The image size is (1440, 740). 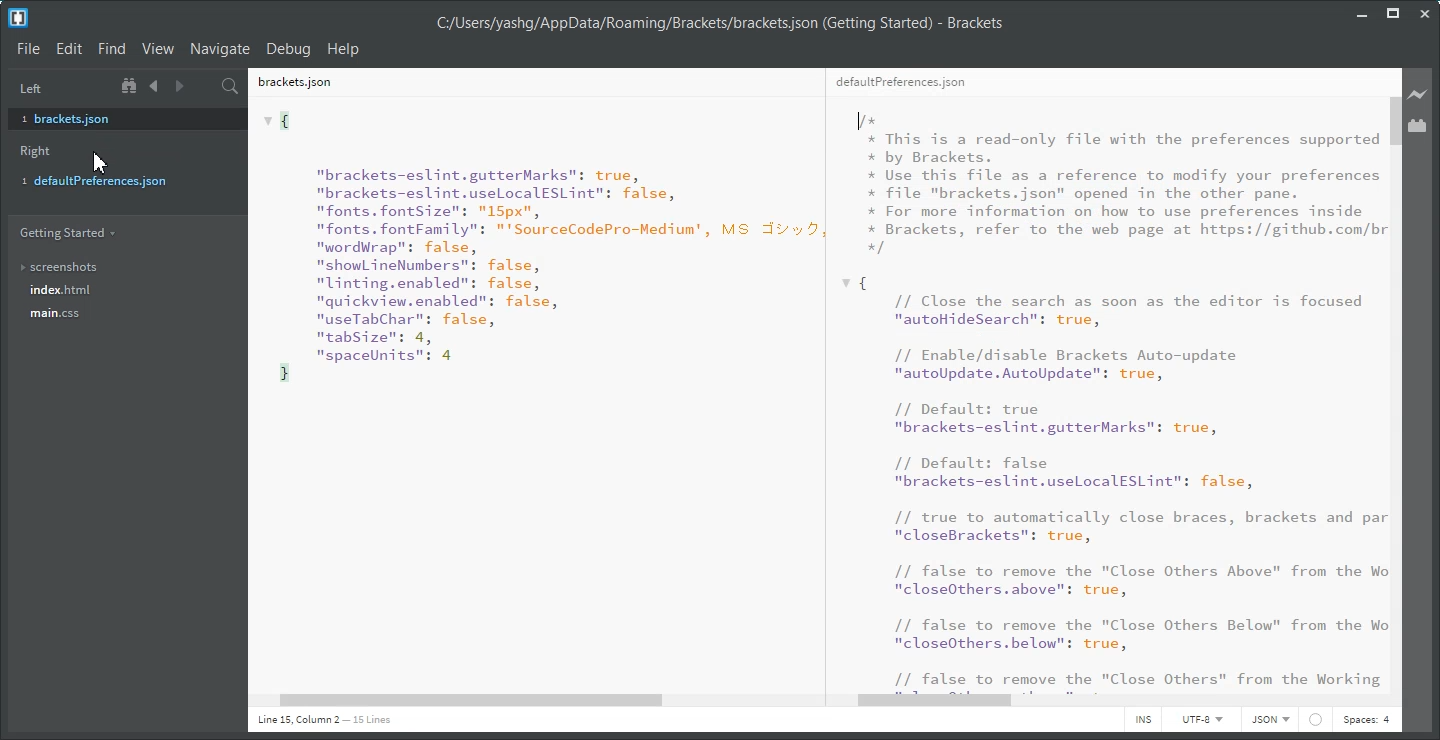 What do you see at coordinates (719, 24) in the screenshot?
I see `Text` at bounding box center [719, 24].